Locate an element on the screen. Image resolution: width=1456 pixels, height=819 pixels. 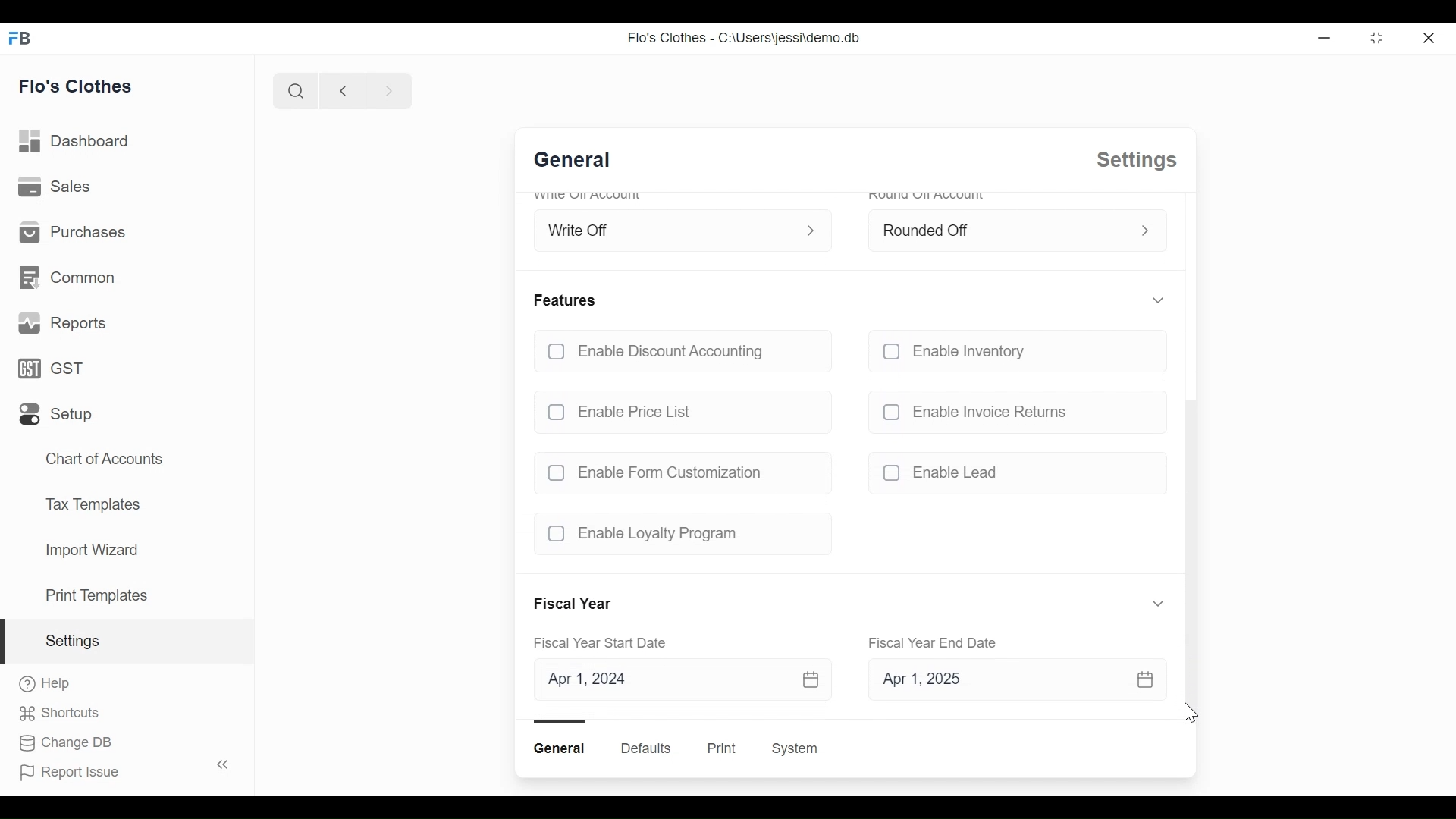
Change DB is located at coordinates (66, 744).